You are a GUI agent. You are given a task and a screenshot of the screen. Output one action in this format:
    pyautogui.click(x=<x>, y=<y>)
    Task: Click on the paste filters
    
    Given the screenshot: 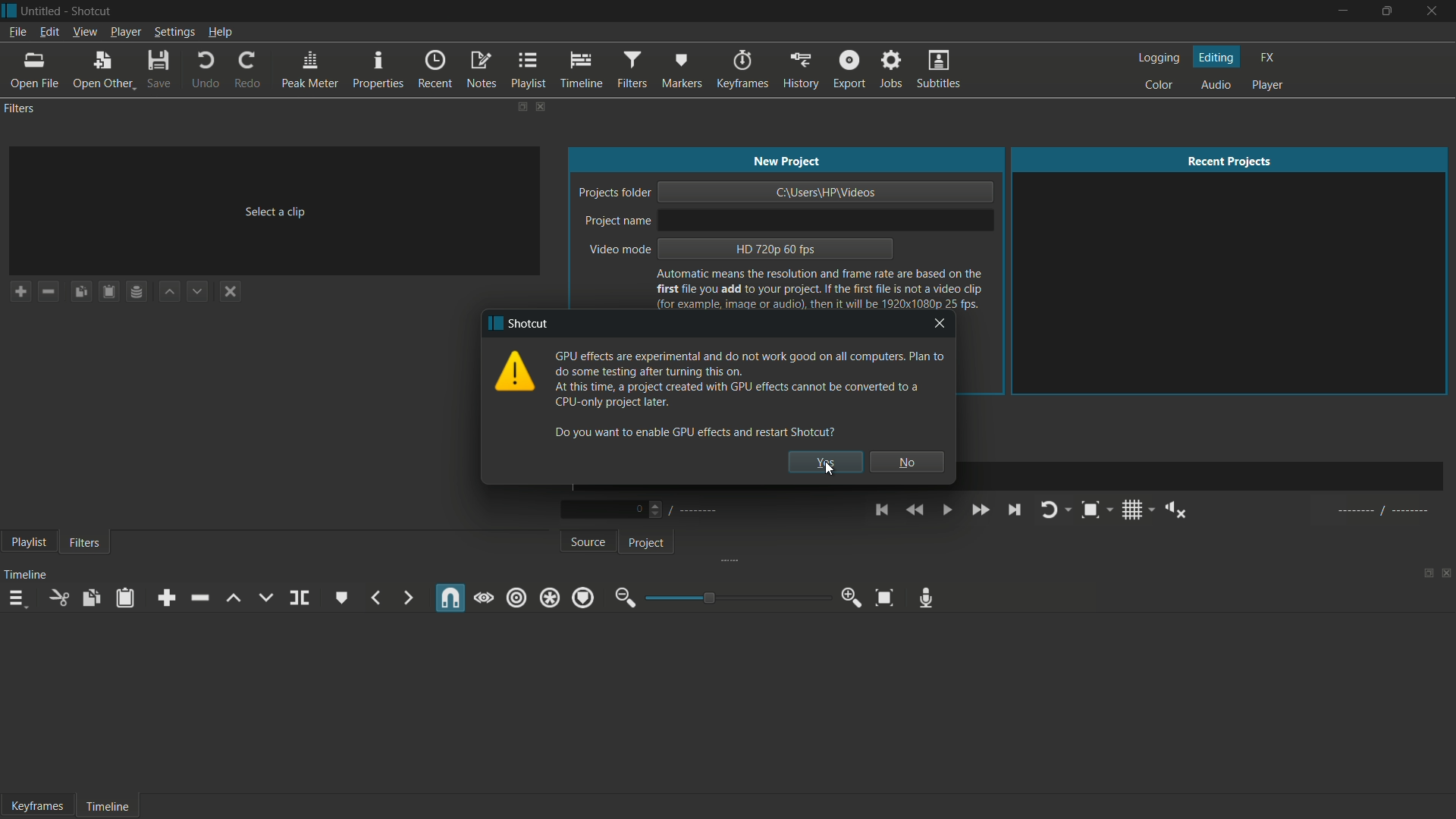 What is the action you would take?
    pyautogui.click(x=110, y=291)
    